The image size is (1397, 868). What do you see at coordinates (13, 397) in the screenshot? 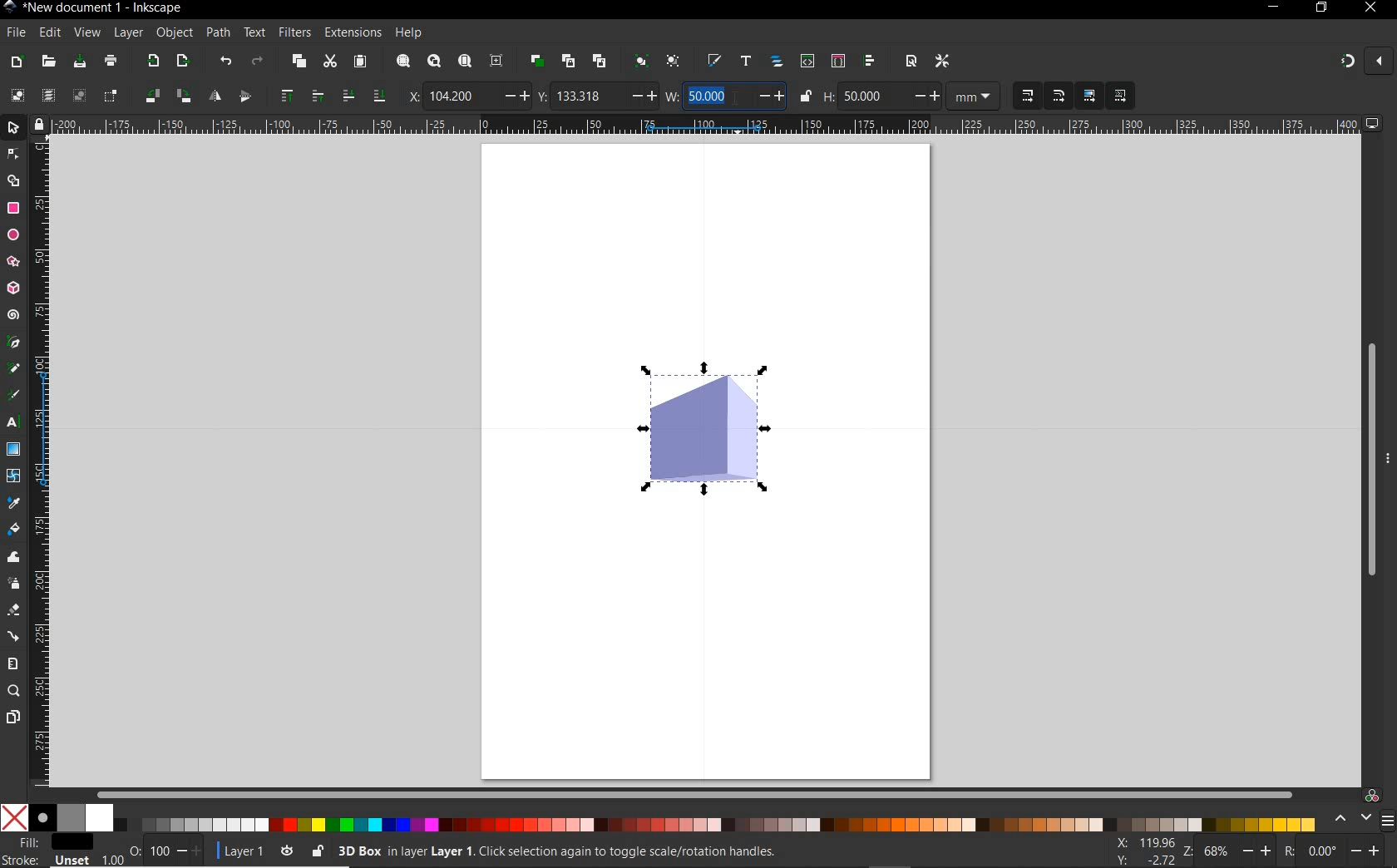
I see `calligraphy tool` at bounding box center [13, 397].